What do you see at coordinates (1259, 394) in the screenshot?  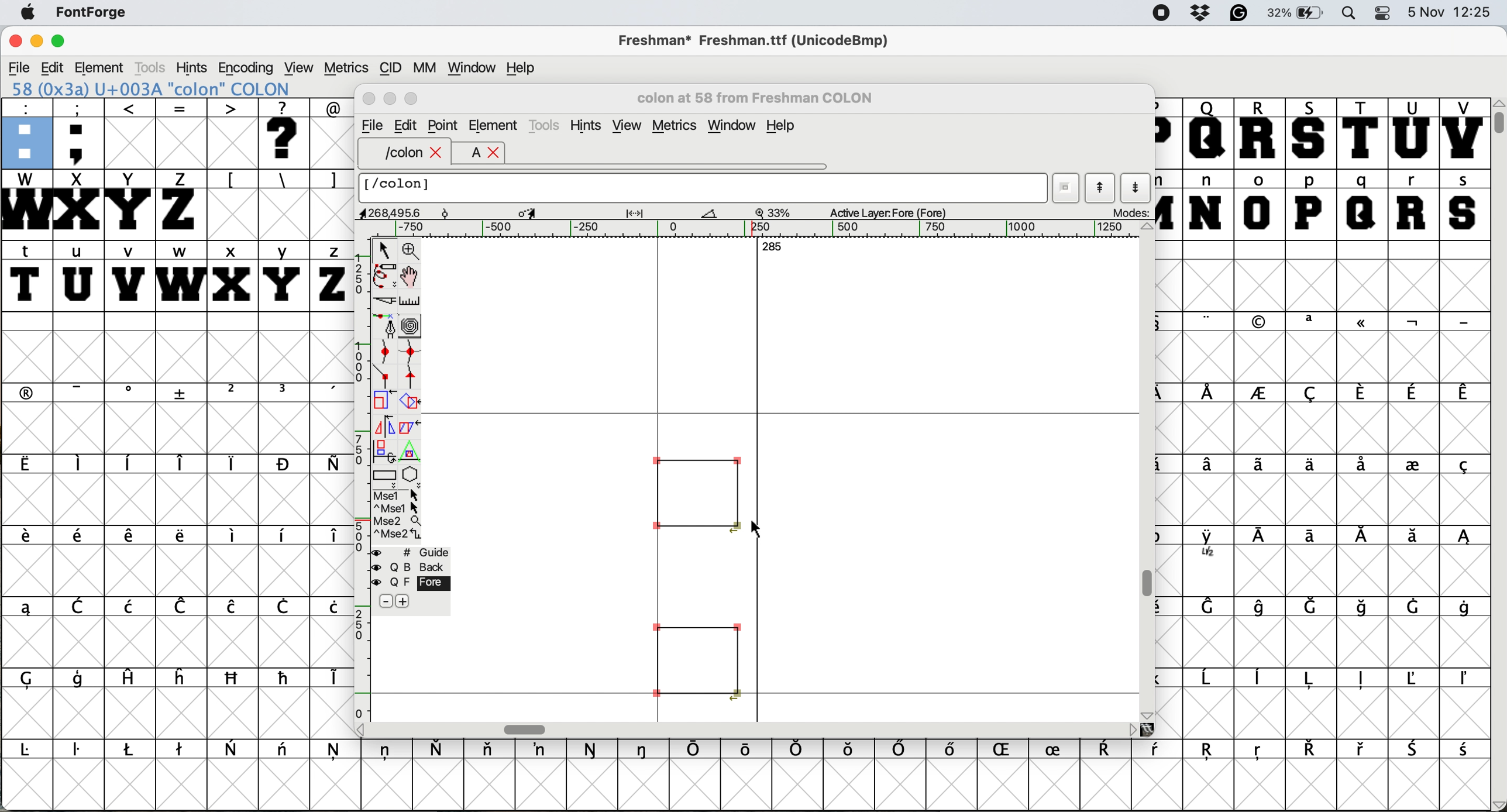 I see `symbol` at bounding box center [1259, 394].